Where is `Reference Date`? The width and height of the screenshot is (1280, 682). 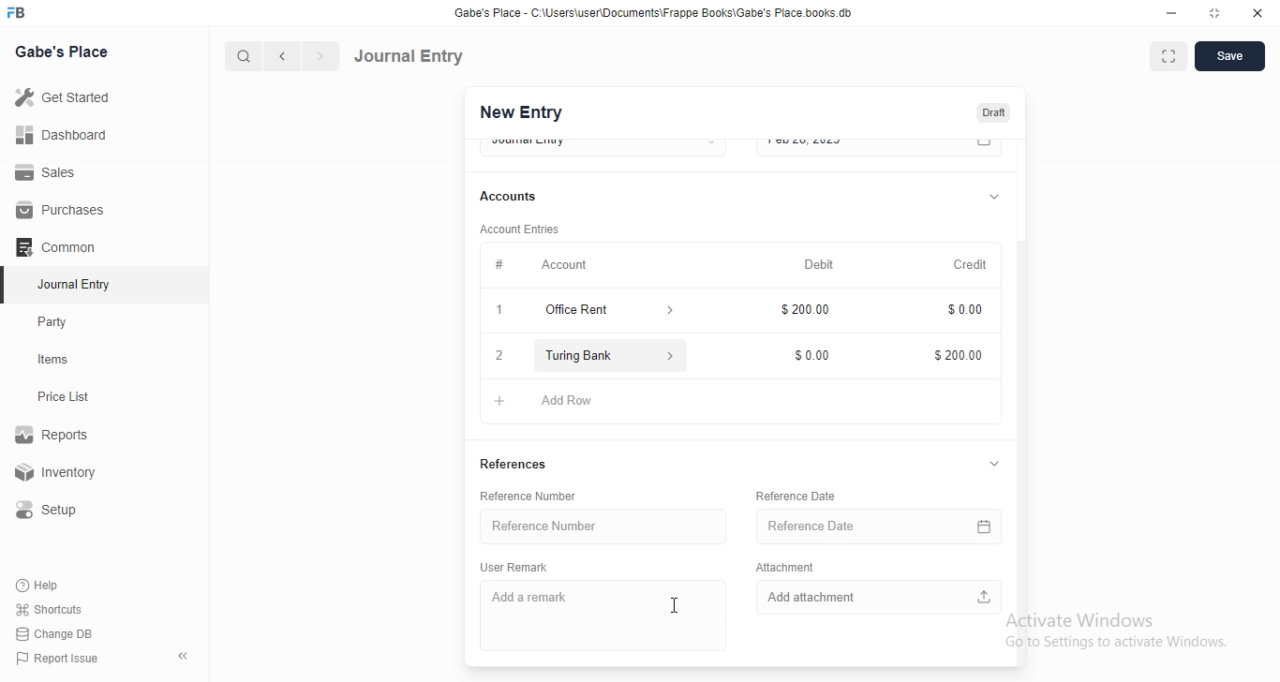 Reference Date is located at coordinates (801, 492).